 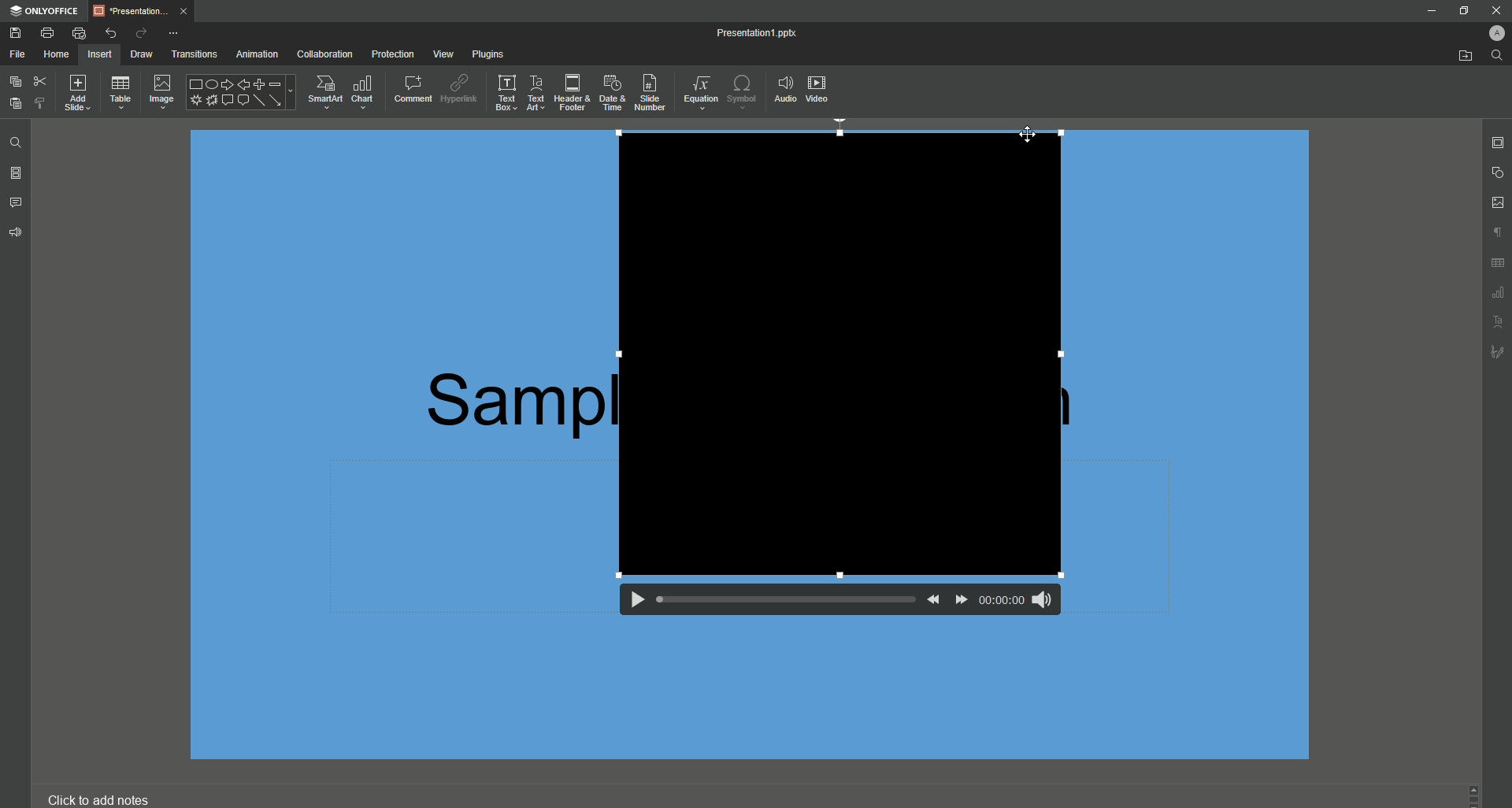 I want to click on Slides, so click(x=16, y=175).